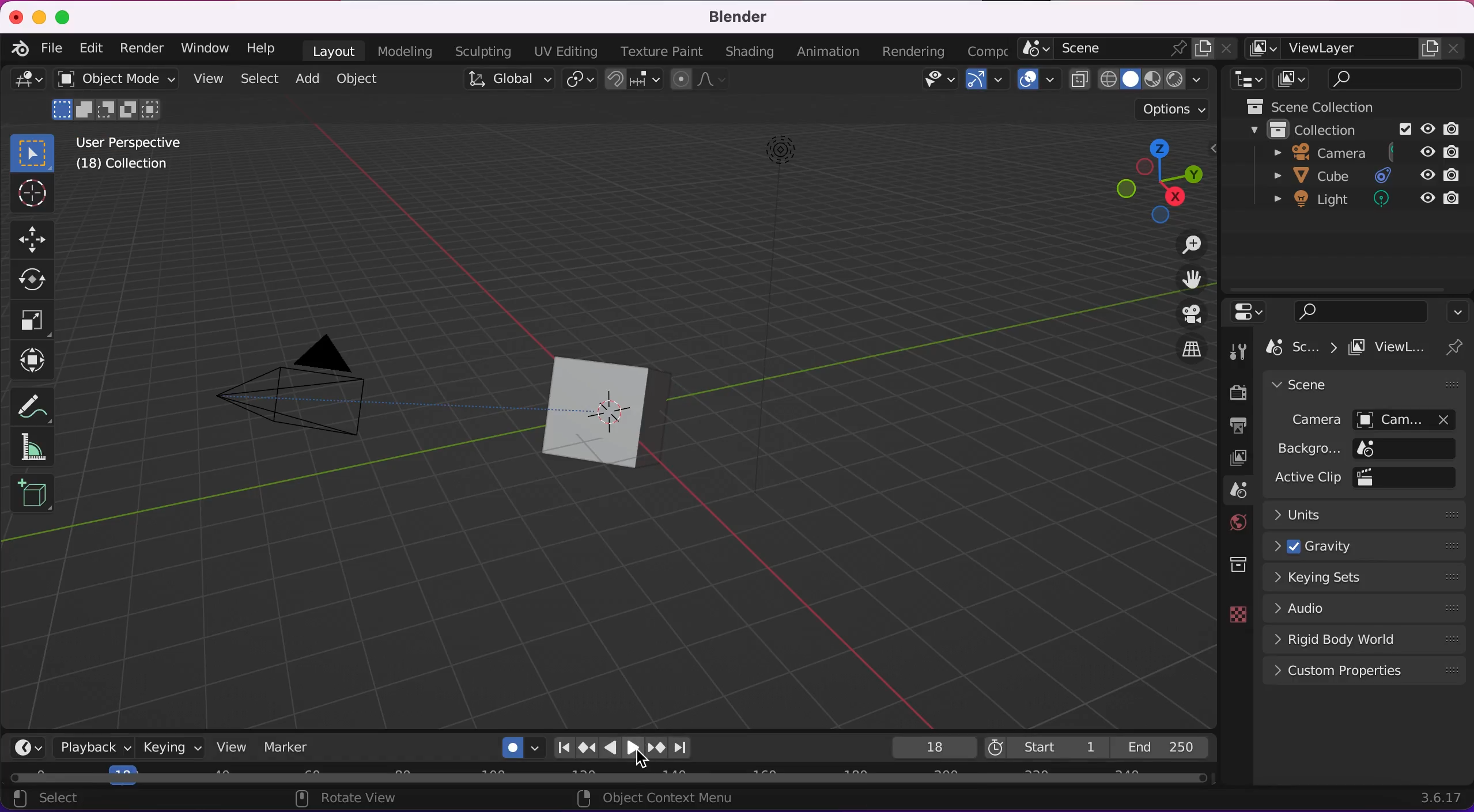 This screenshot has height=812, width=1474. Describe the element at coordinates (1459, 310) in the screenshot. I see ` collapse` at that location.